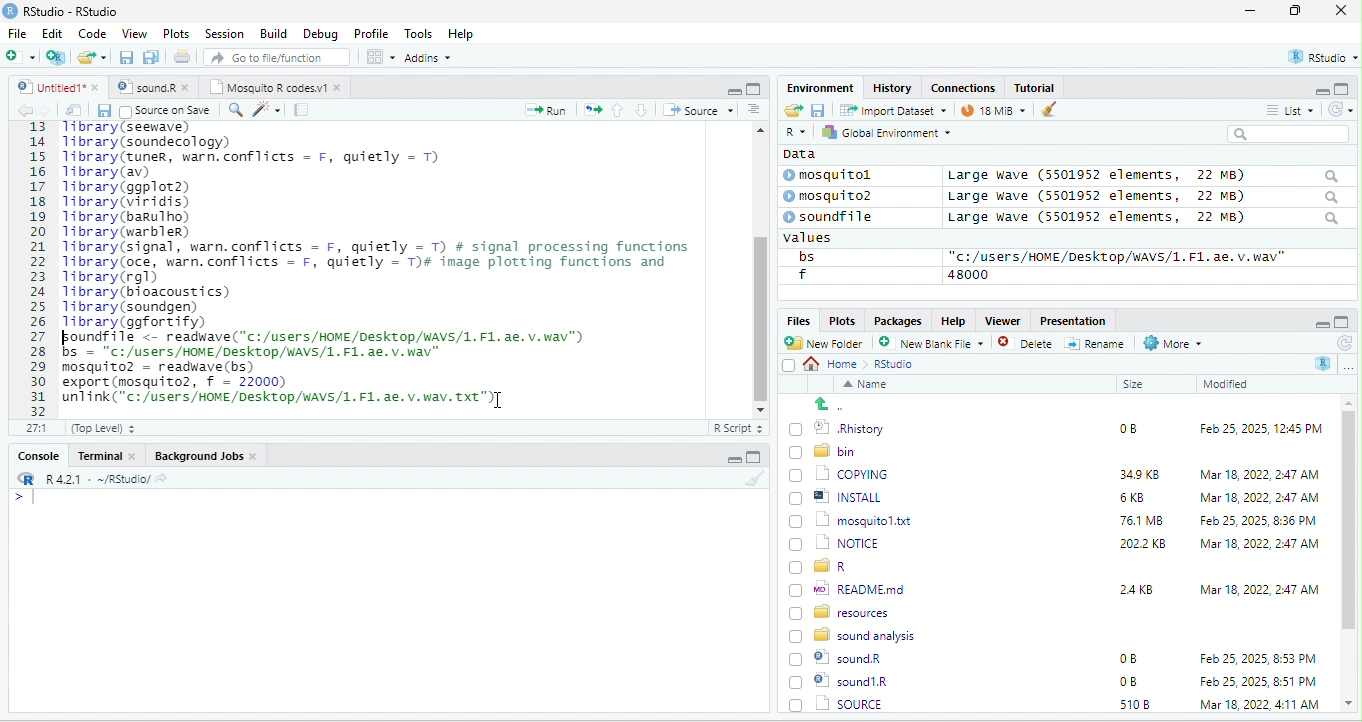  What do you see at coordinates (825, 450) in the screenshot?
I see `Ld bin` at bounding box center [825, 450].